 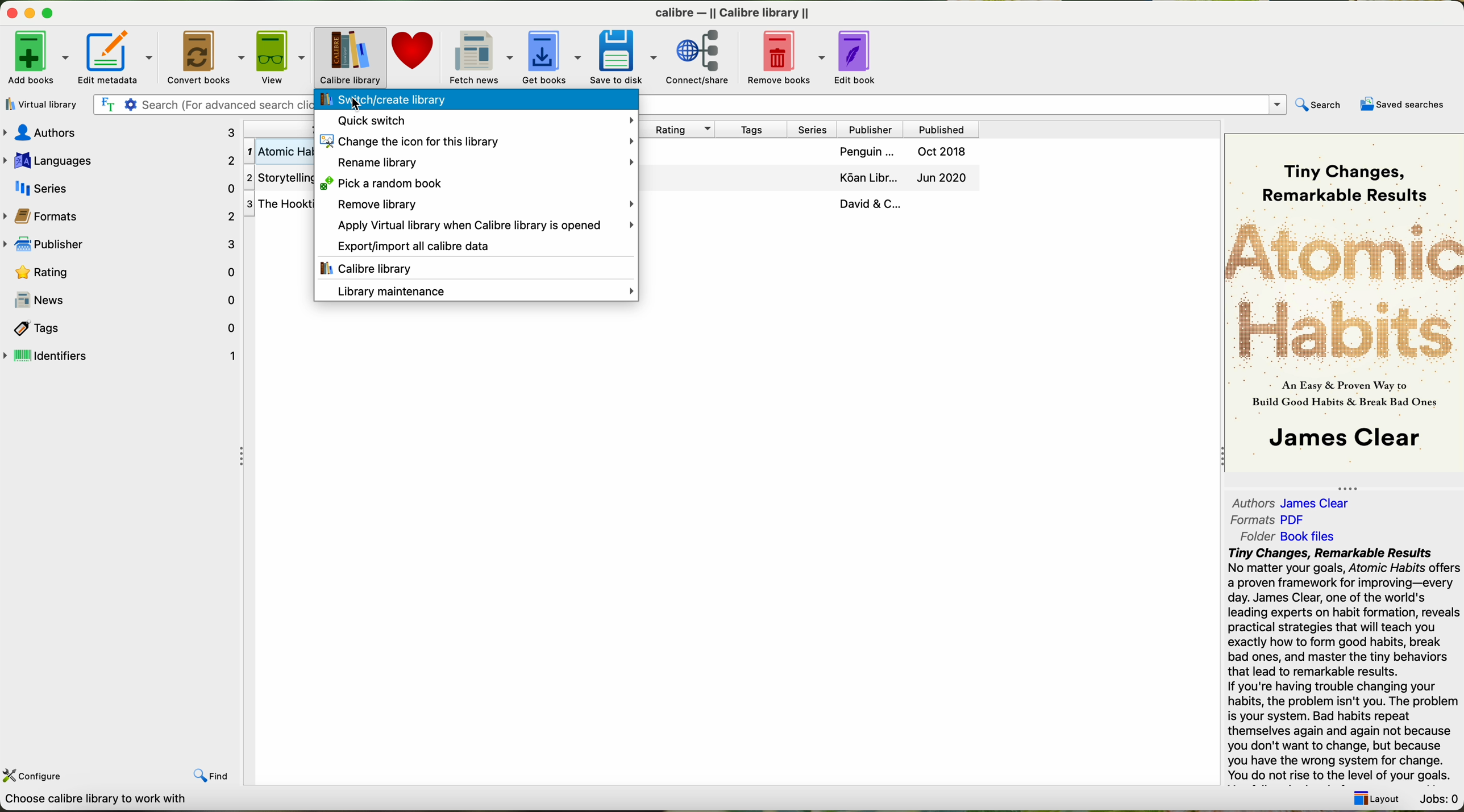 What do you see at coordinates (486, 224) in the screenshot?
I see `apply virtual library when Calibre library is opened` at bounding box center [486, 224].